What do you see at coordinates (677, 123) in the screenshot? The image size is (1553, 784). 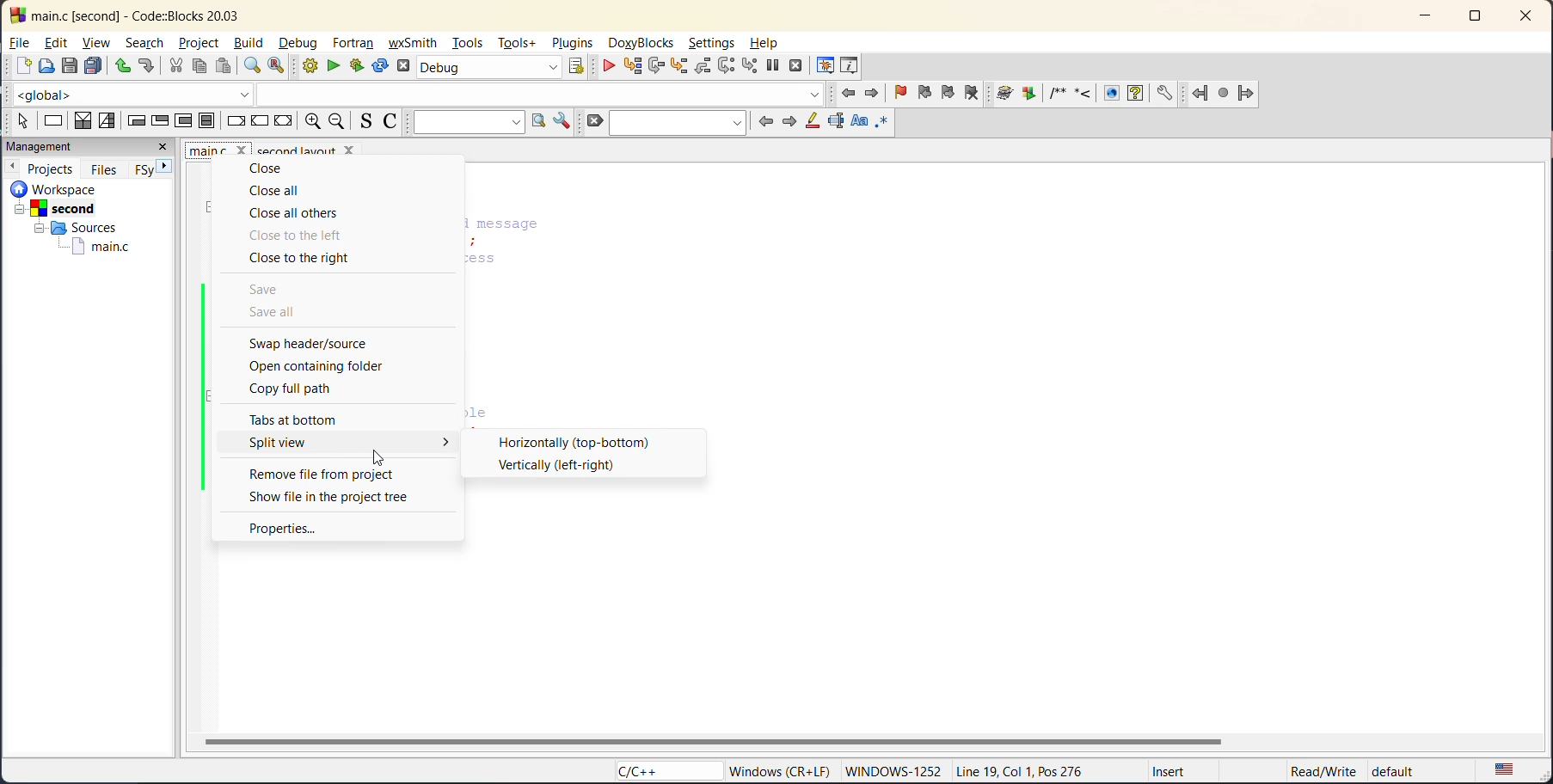 I see `search` at bounding box center [677, 123].